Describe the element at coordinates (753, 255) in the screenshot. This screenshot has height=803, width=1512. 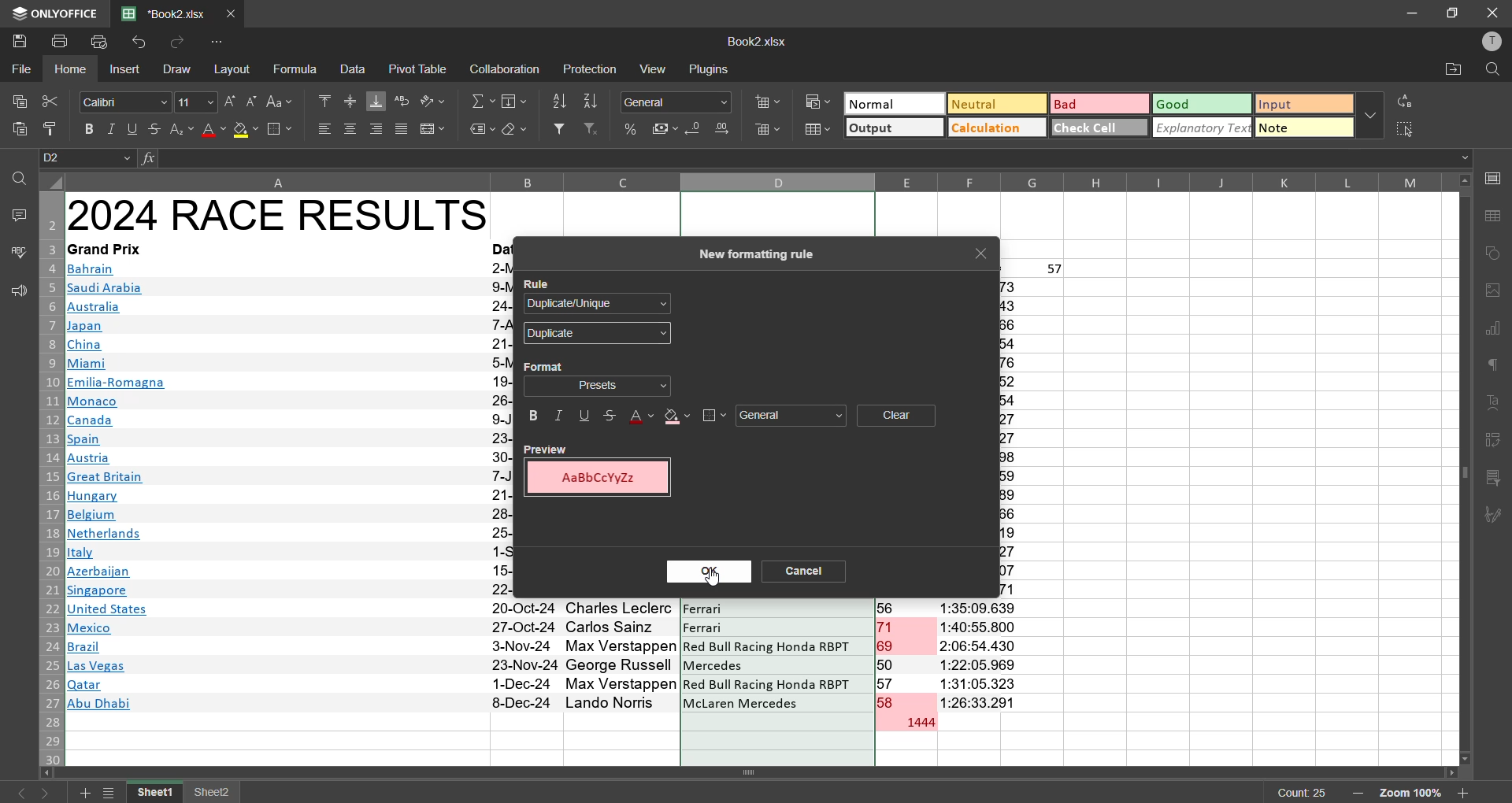
I see `new formatting rule` at that location.